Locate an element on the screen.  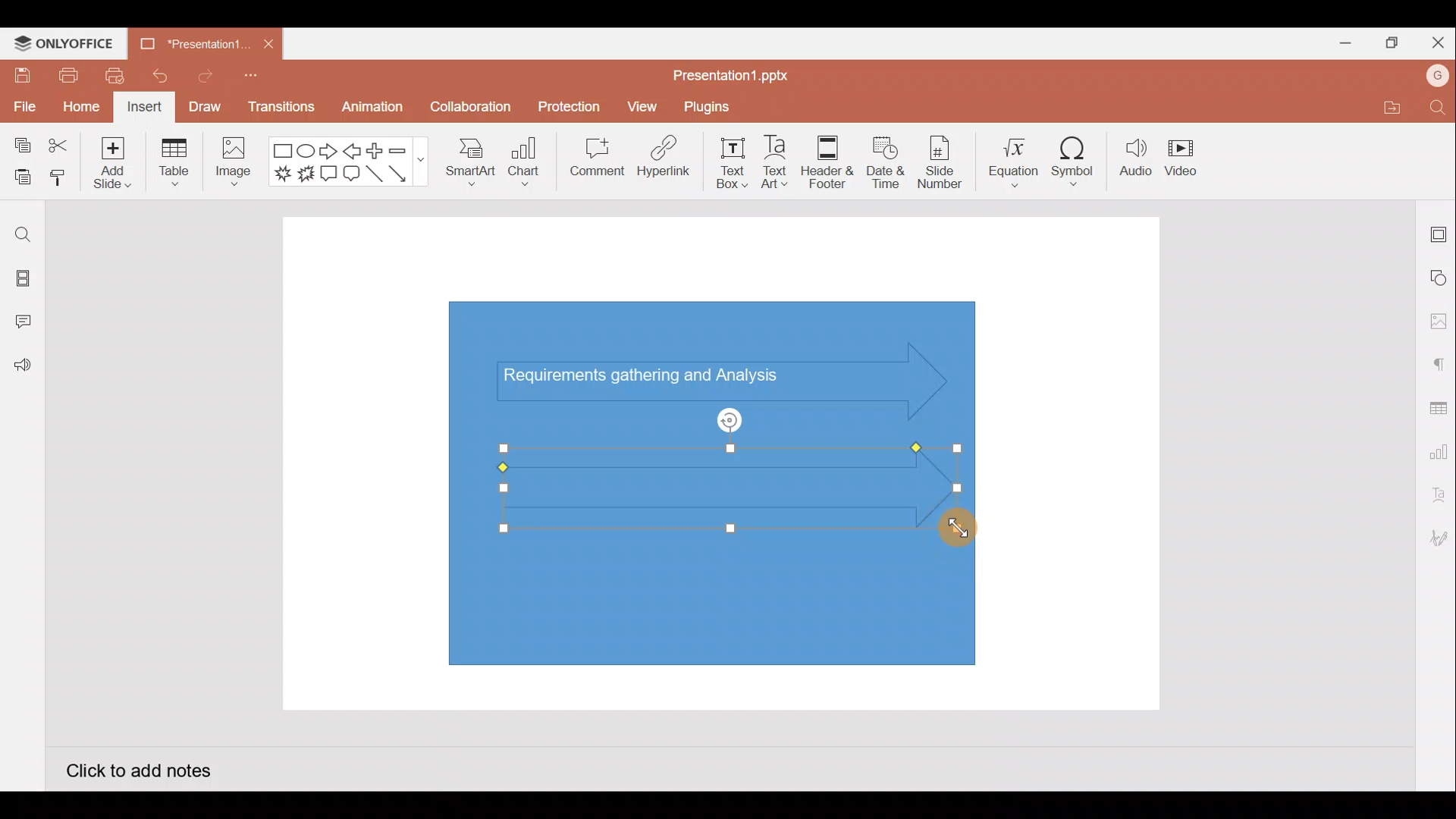
Ellipse is located at coordinates (308, 151).